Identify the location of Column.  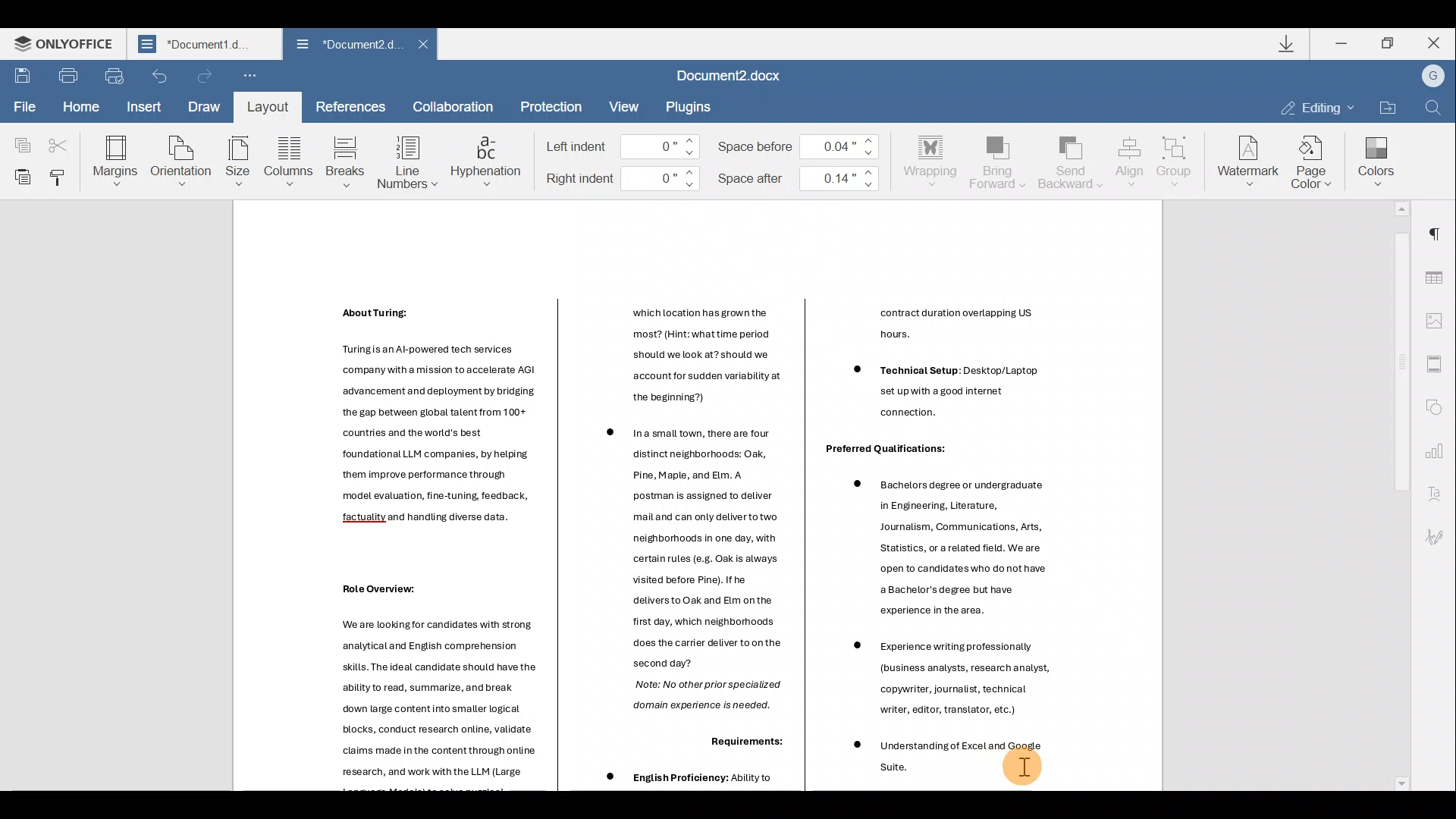
(291, 165).